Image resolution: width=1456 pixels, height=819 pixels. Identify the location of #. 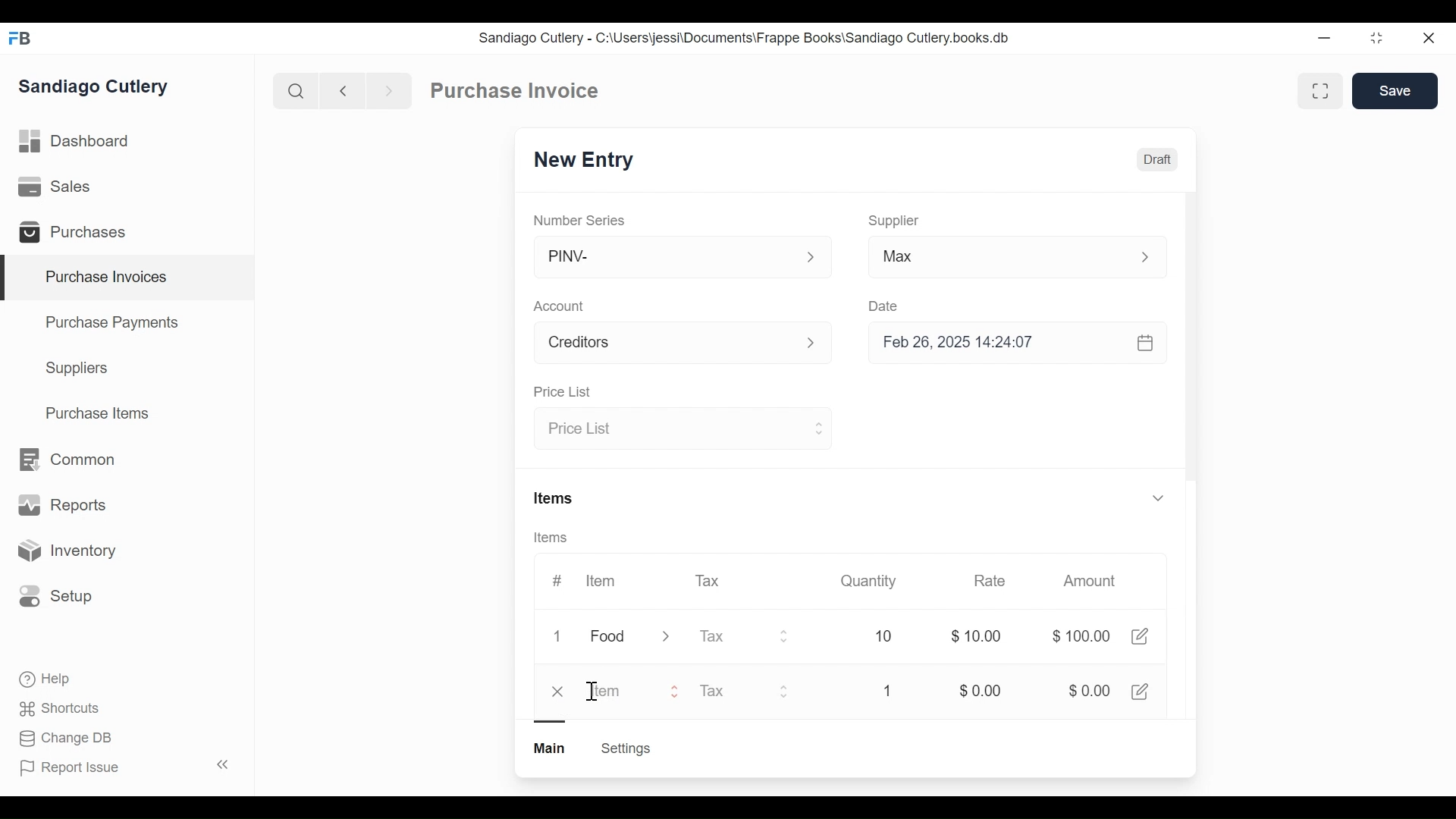
(557, 580).